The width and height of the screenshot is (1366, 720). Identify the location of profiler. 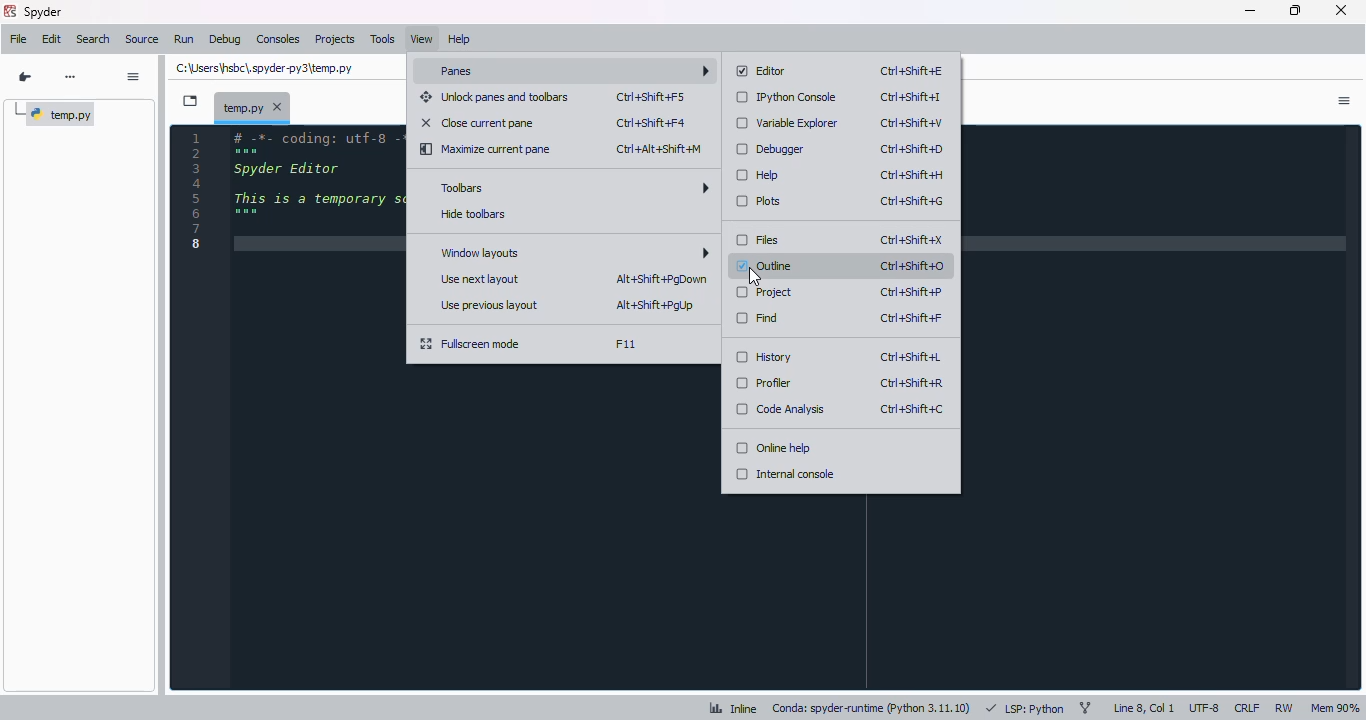
(764, 383).